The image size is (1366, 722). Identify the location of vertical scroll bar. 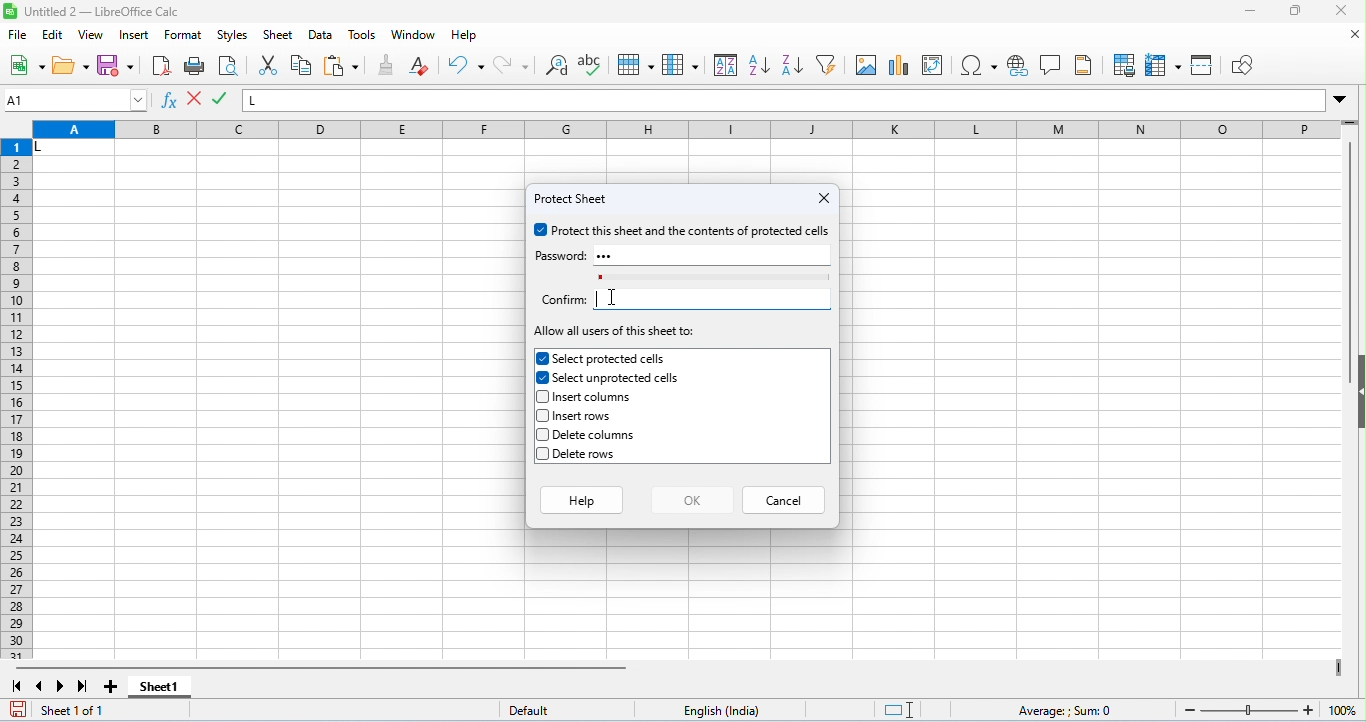
(1351, 264).